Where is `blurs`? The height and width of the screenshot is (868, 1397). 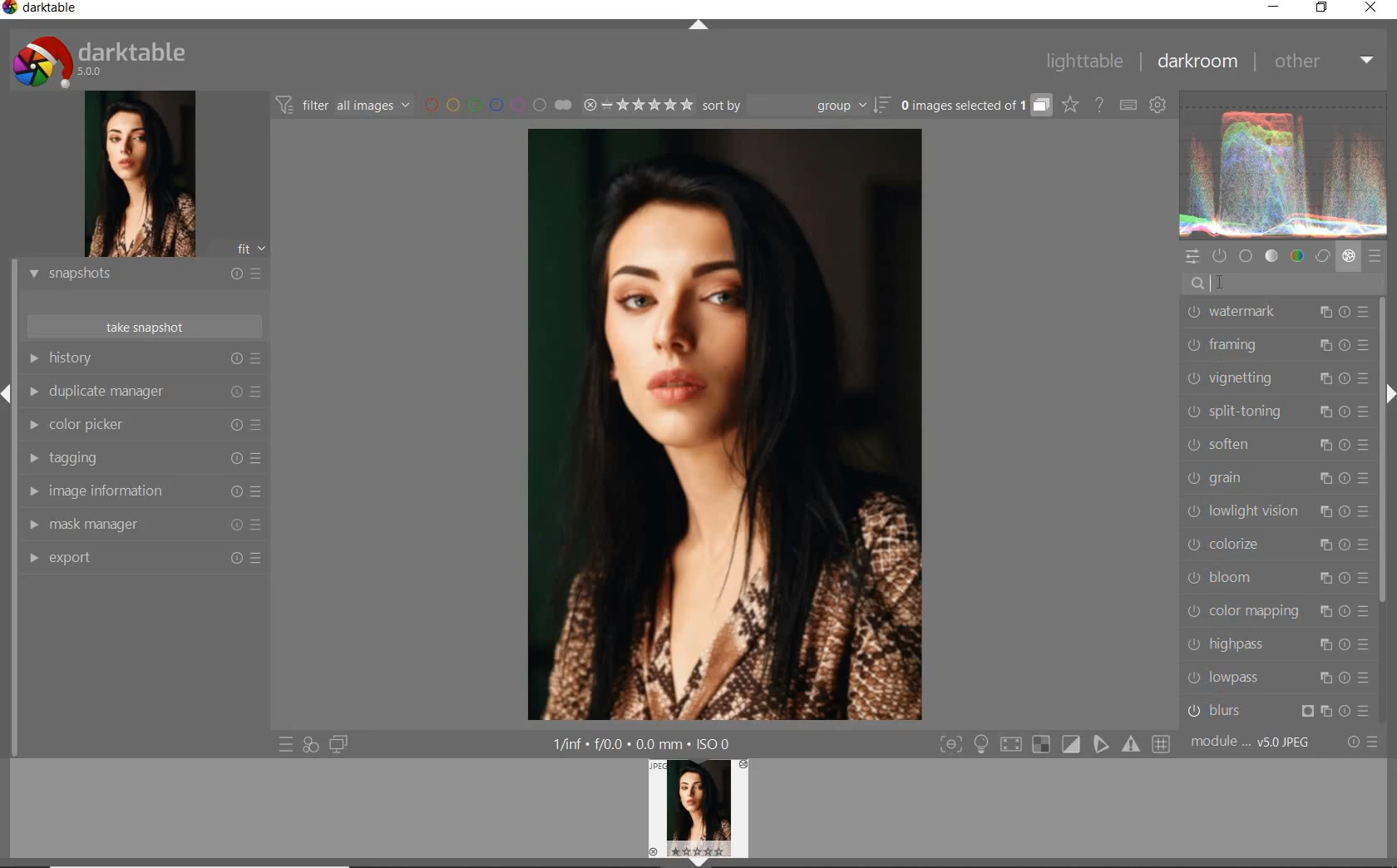
blurs is located at coordinates (1281, 708).